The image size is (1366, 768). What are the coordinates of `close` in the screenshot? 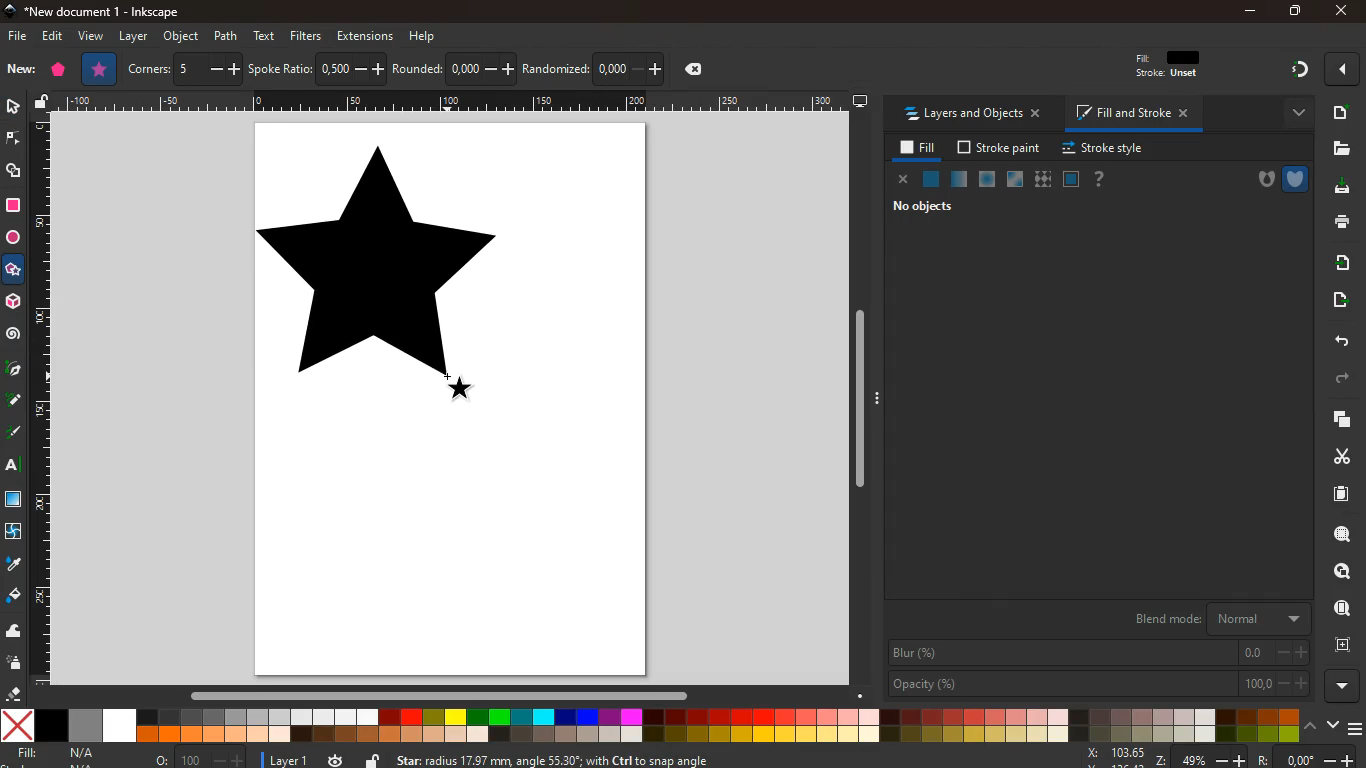 It's located at (1343, 9).